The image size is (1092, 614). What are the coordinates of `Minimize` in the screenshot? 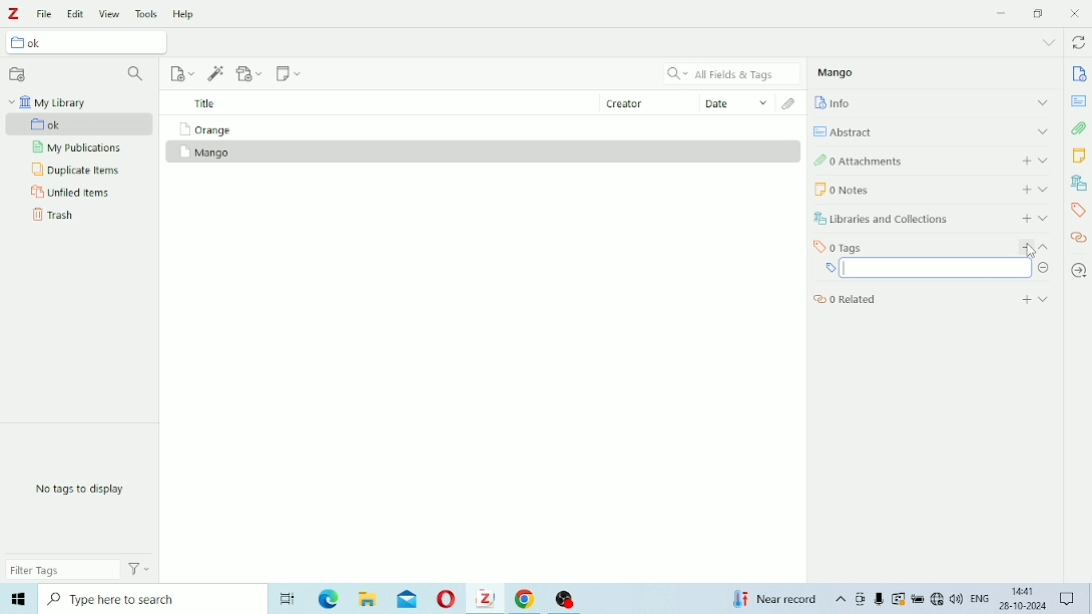 It's located at (1003, 13).